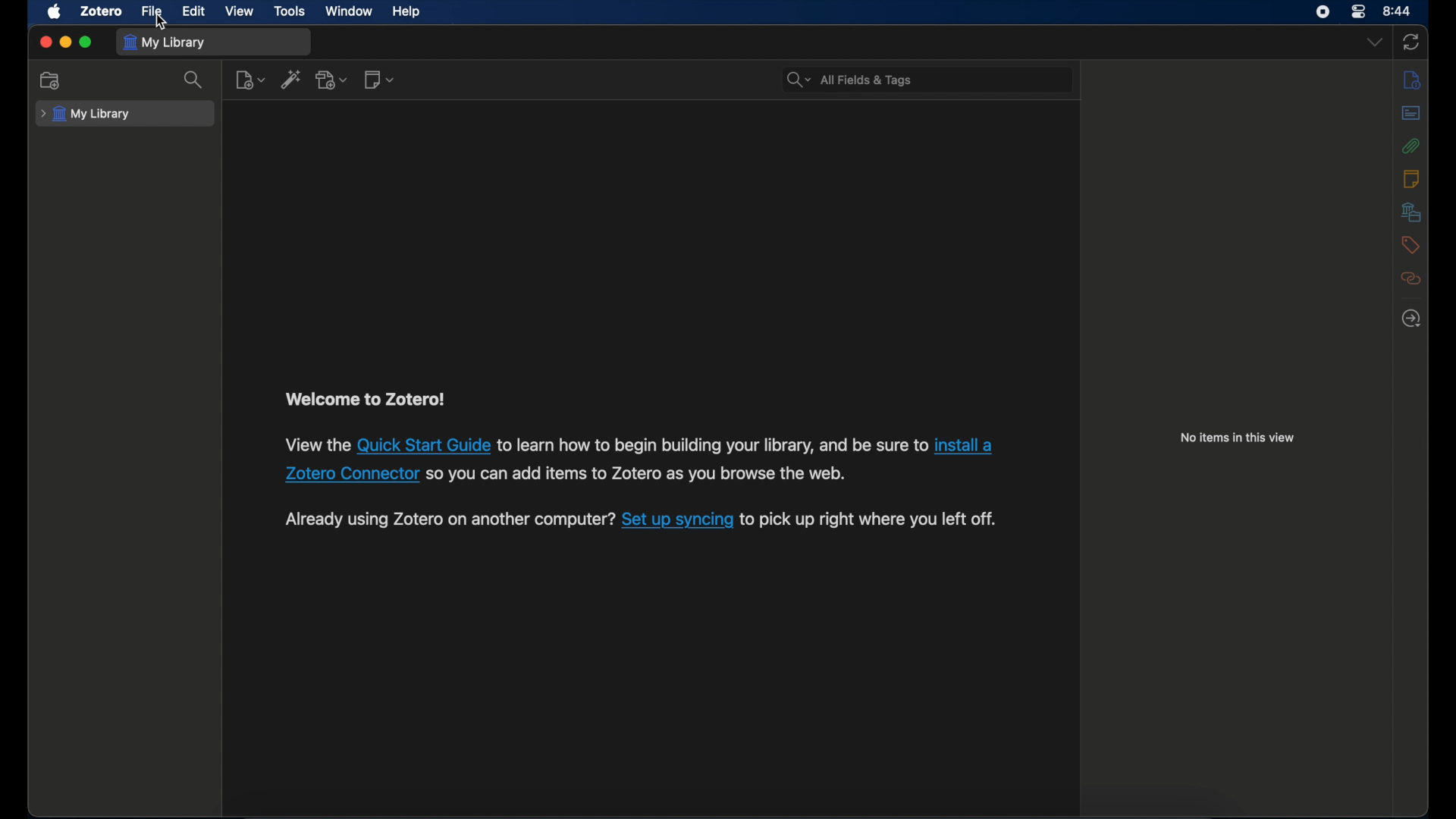  What do you see at coordinates (1414, 41) in the screenshot?
I see `sync` at bounding box center [1414, 41].